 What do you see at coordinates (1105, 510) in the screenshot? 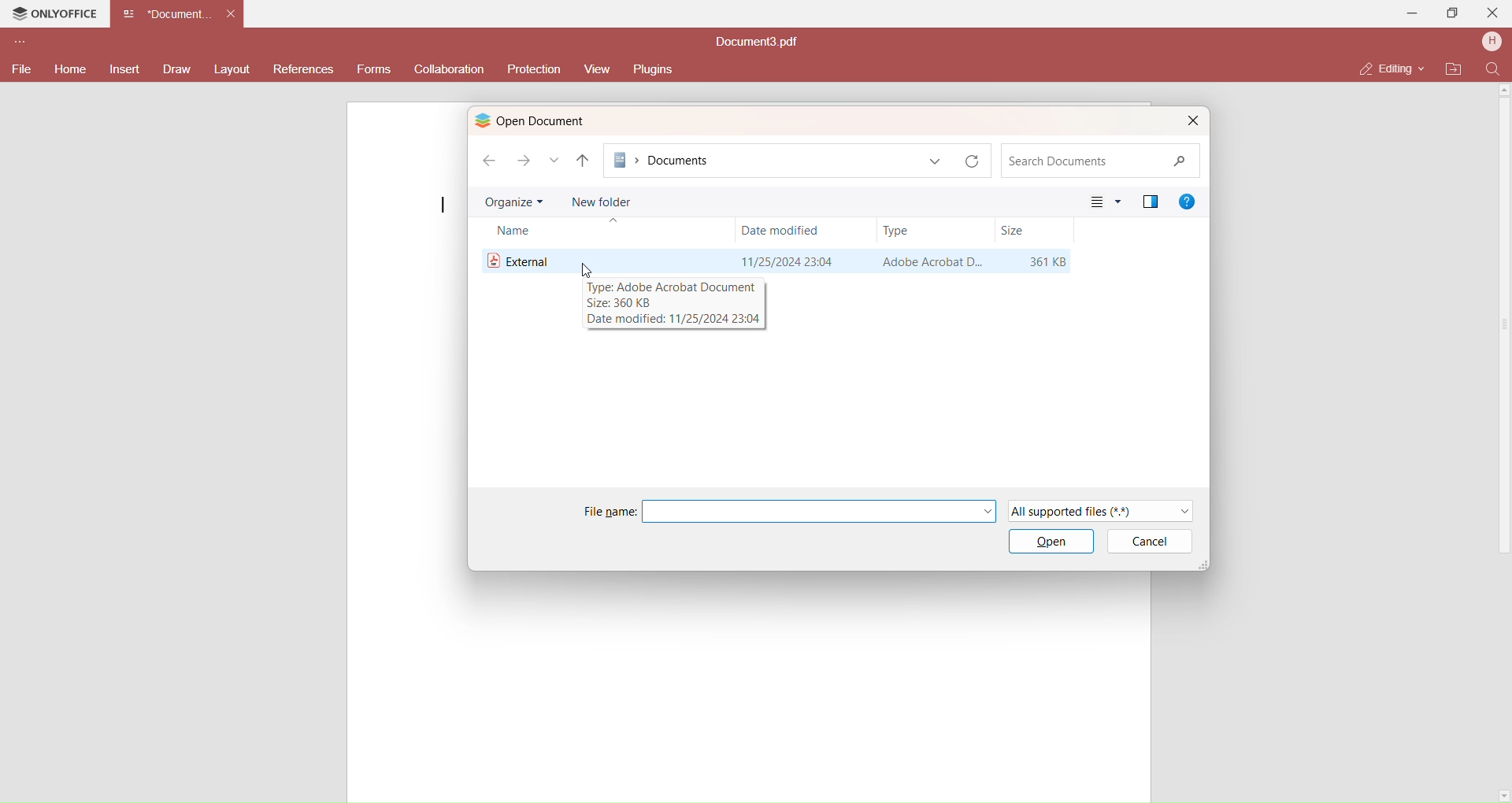
I see `Supported File` at bounding box center [1105, 510].